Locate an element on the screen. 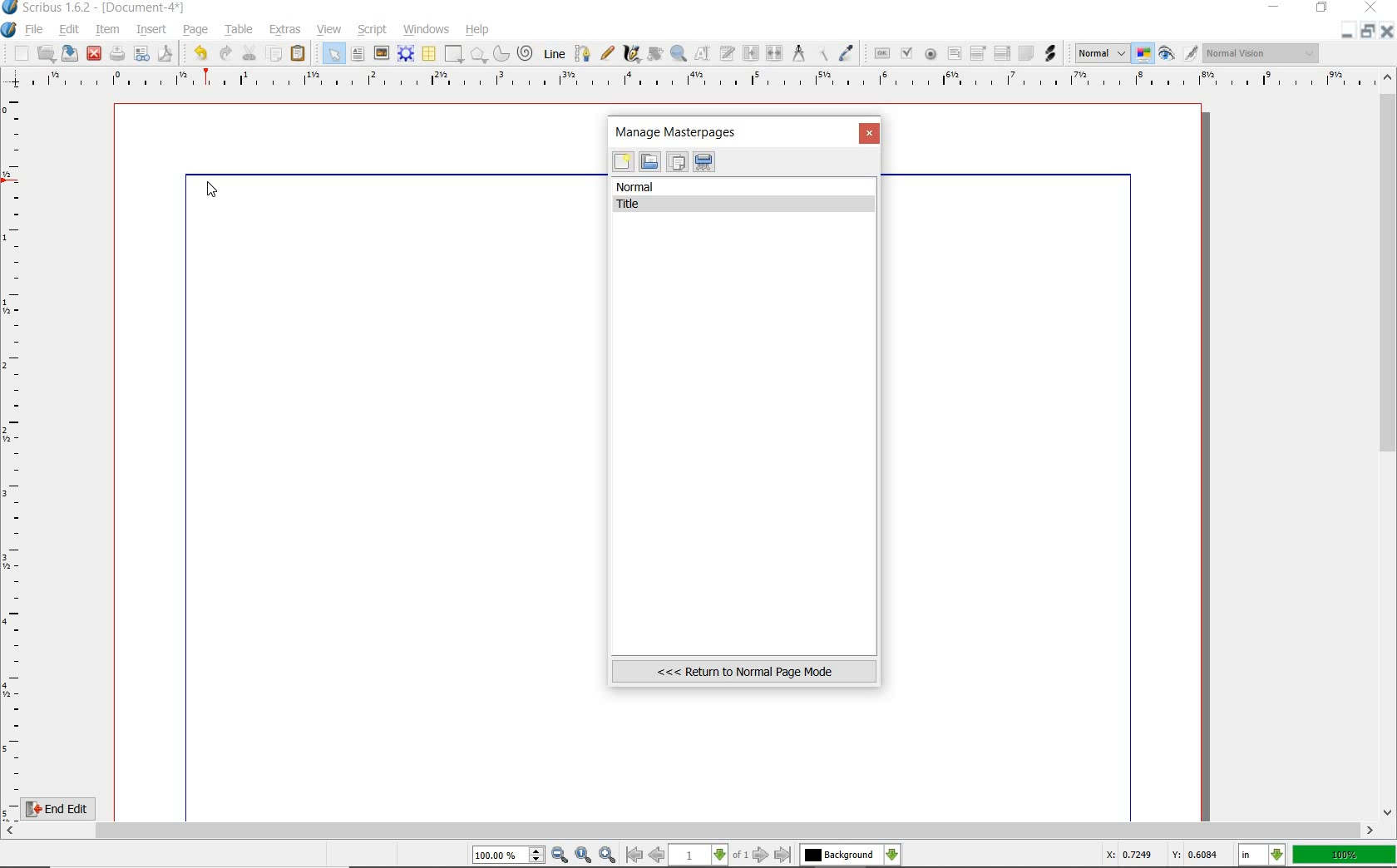 The width and height of the screenshot is (1397, 868). item is located at coordinates (108, 31).